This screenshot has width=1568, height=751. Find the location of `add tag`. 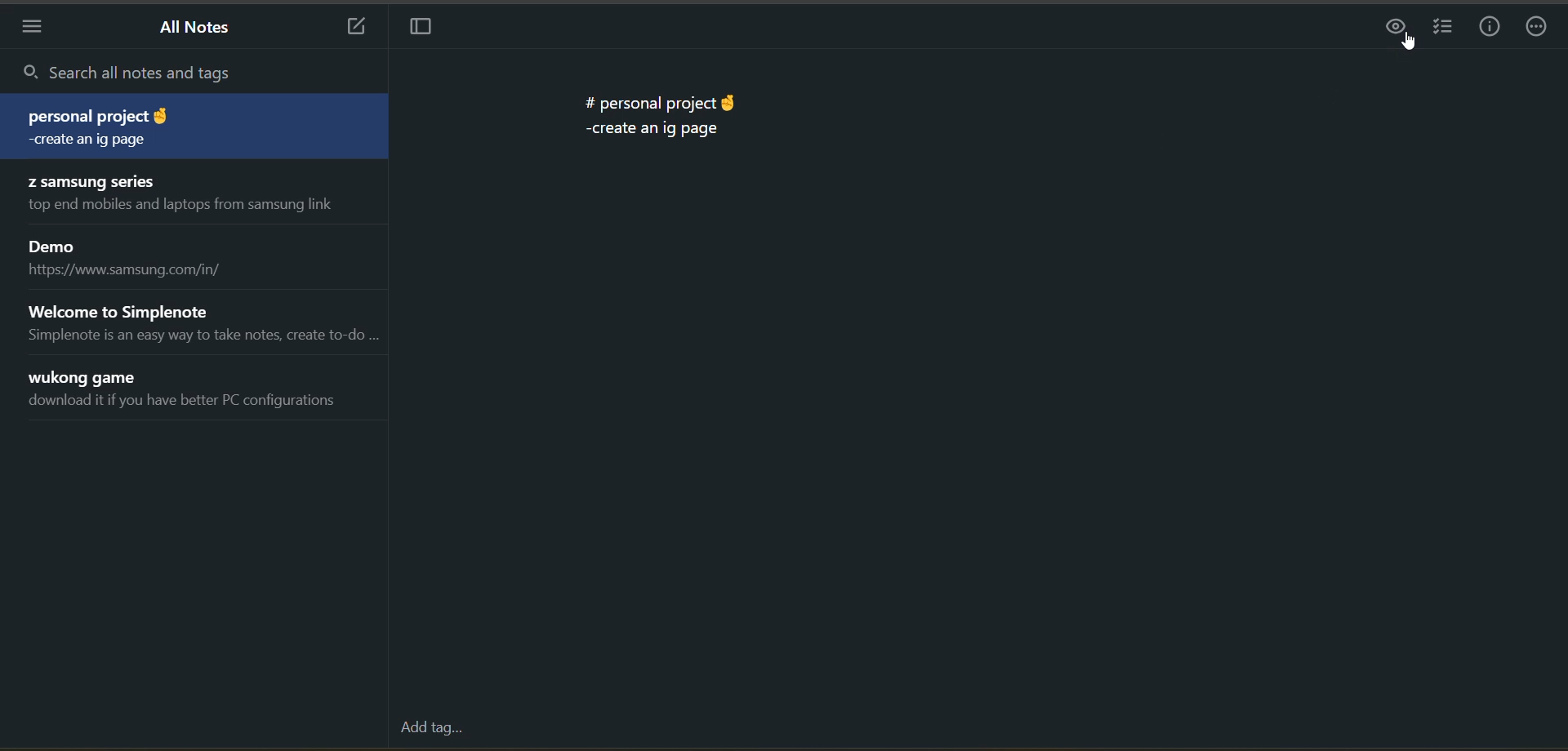

add tag is located at coordinates (430, 730).